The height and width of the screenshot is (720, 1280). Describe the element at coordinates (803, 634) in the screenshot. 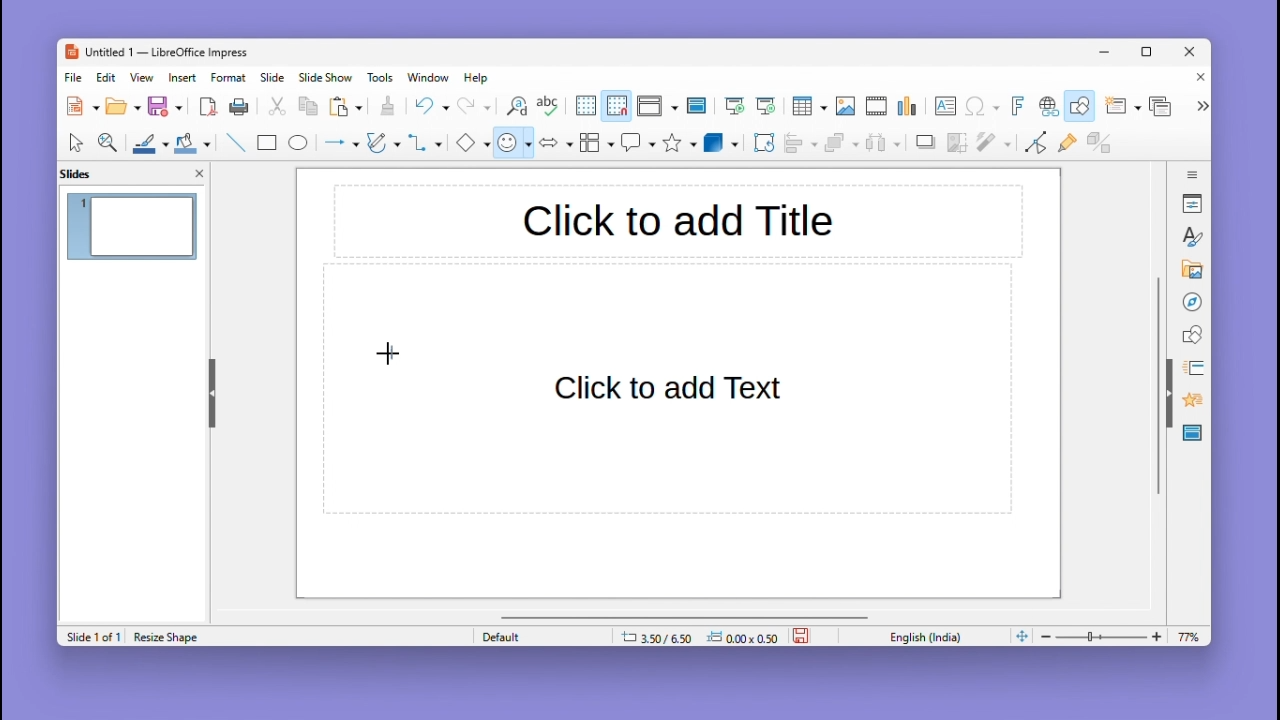

I see `save` at that location.